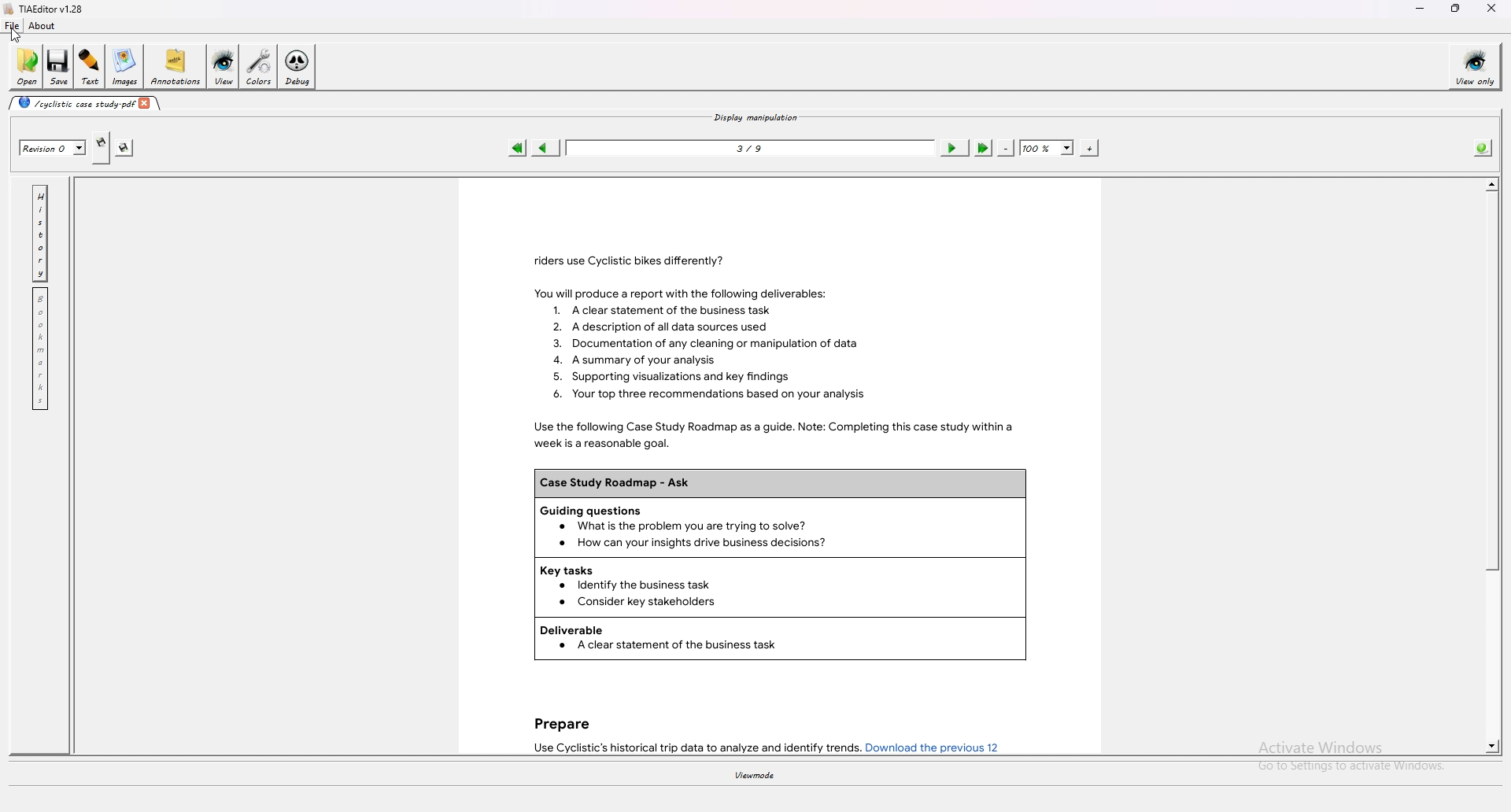  What do you see at coordinates (954, 147) in the screenshot?
I see `next page` at bounding box center [954, 147].